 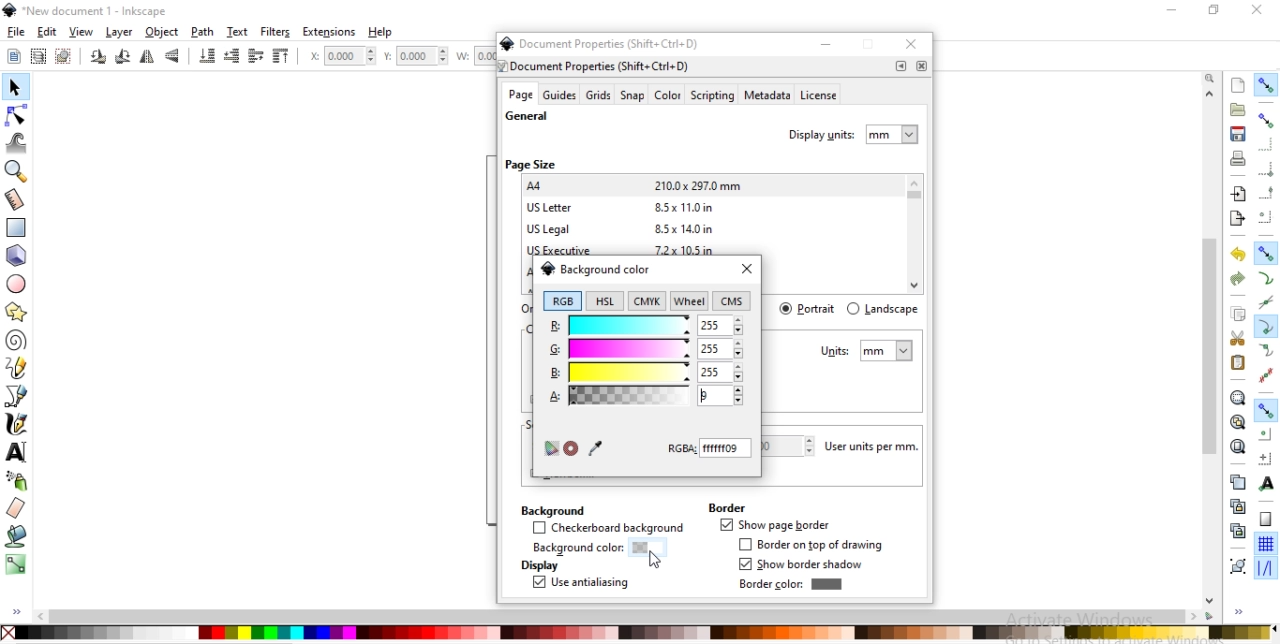 What do you see at coordinates (94, 12) in the screenshot?
I see `new document 1 -Inksacpe` at bounding box center [94, 12].